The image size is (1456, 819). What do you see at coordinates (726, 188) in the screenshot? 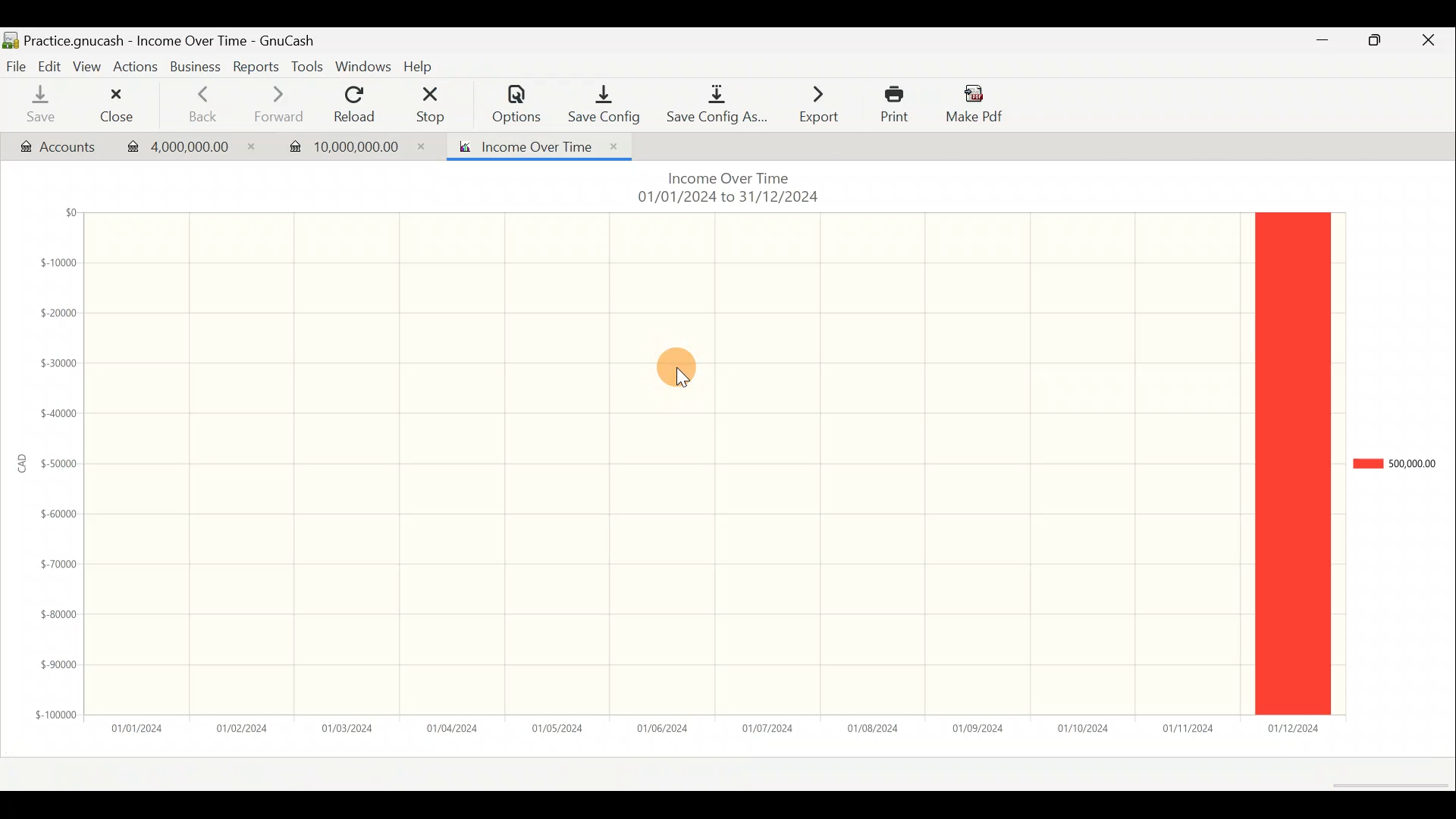
I see `Income Over Time
01/01/2024 to 31/12/2024` at bounding box center [726, 188].